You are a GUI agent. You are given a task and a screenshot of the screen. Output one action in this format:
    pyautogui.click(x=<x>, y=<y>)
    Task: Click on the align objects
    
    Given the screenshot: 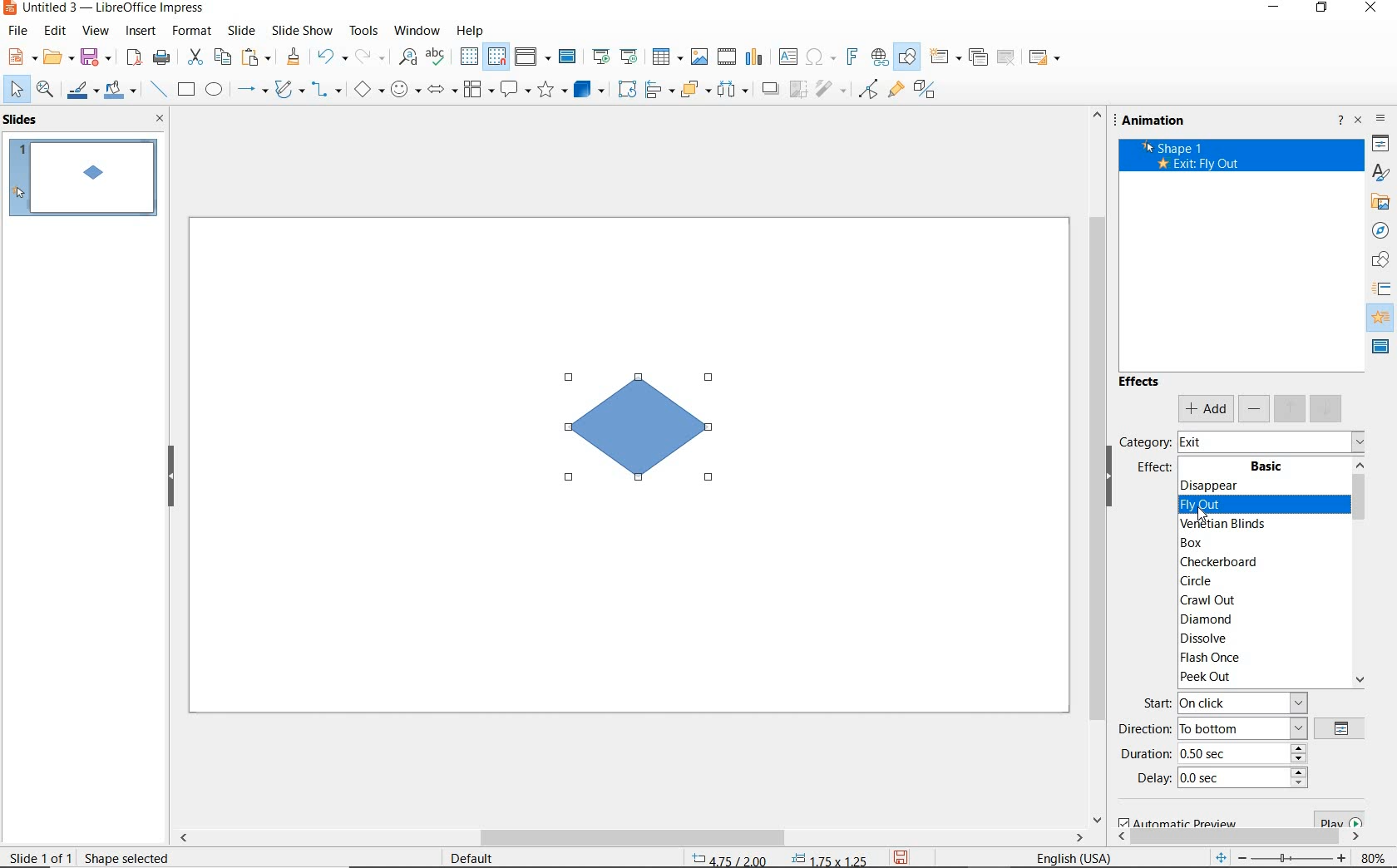 What is the action you would take?
    pyautogui.click(x=659, y=91)
    